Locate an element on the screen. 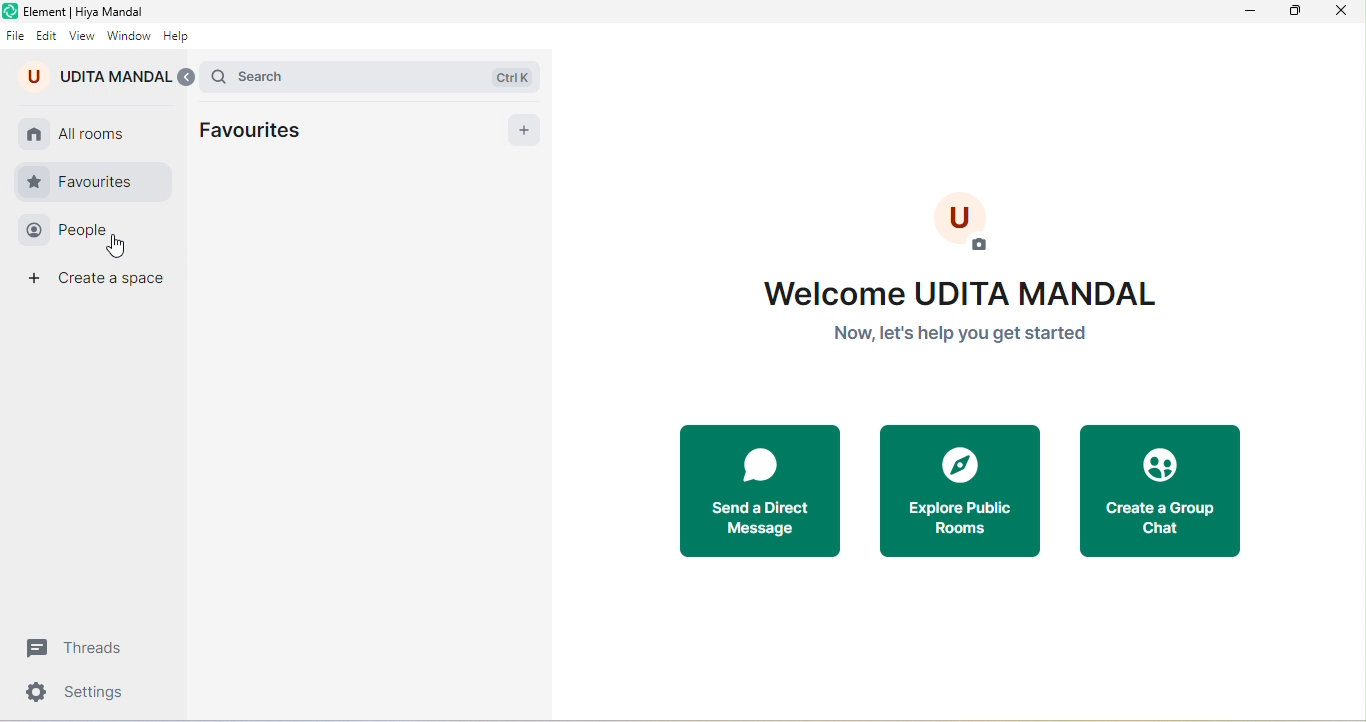 This screenshot has height=722, width=1366. home is located at coordinates (35, 135).